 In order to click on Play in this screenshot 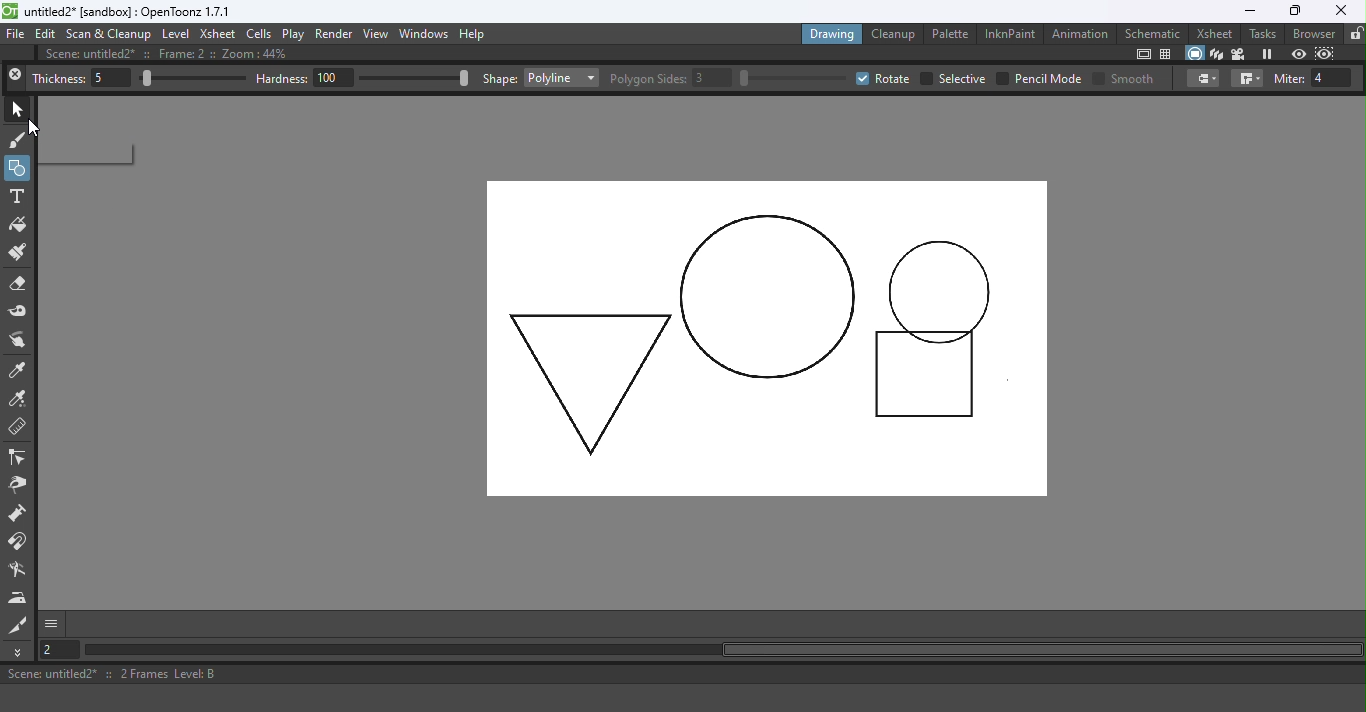, I will do `click(294, 34)`.